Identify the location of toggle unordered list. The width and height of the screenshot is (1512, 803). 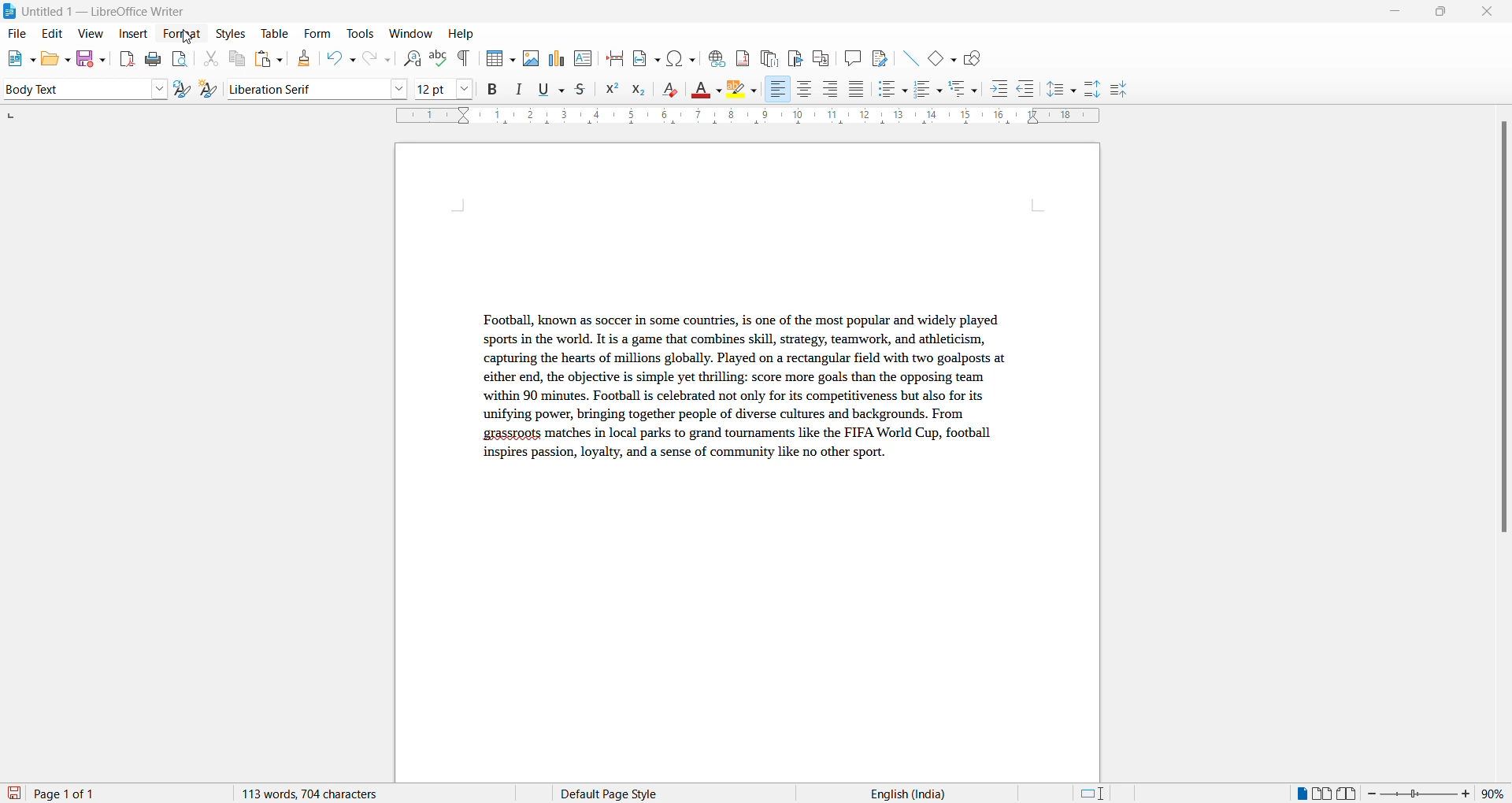
(892, 89).